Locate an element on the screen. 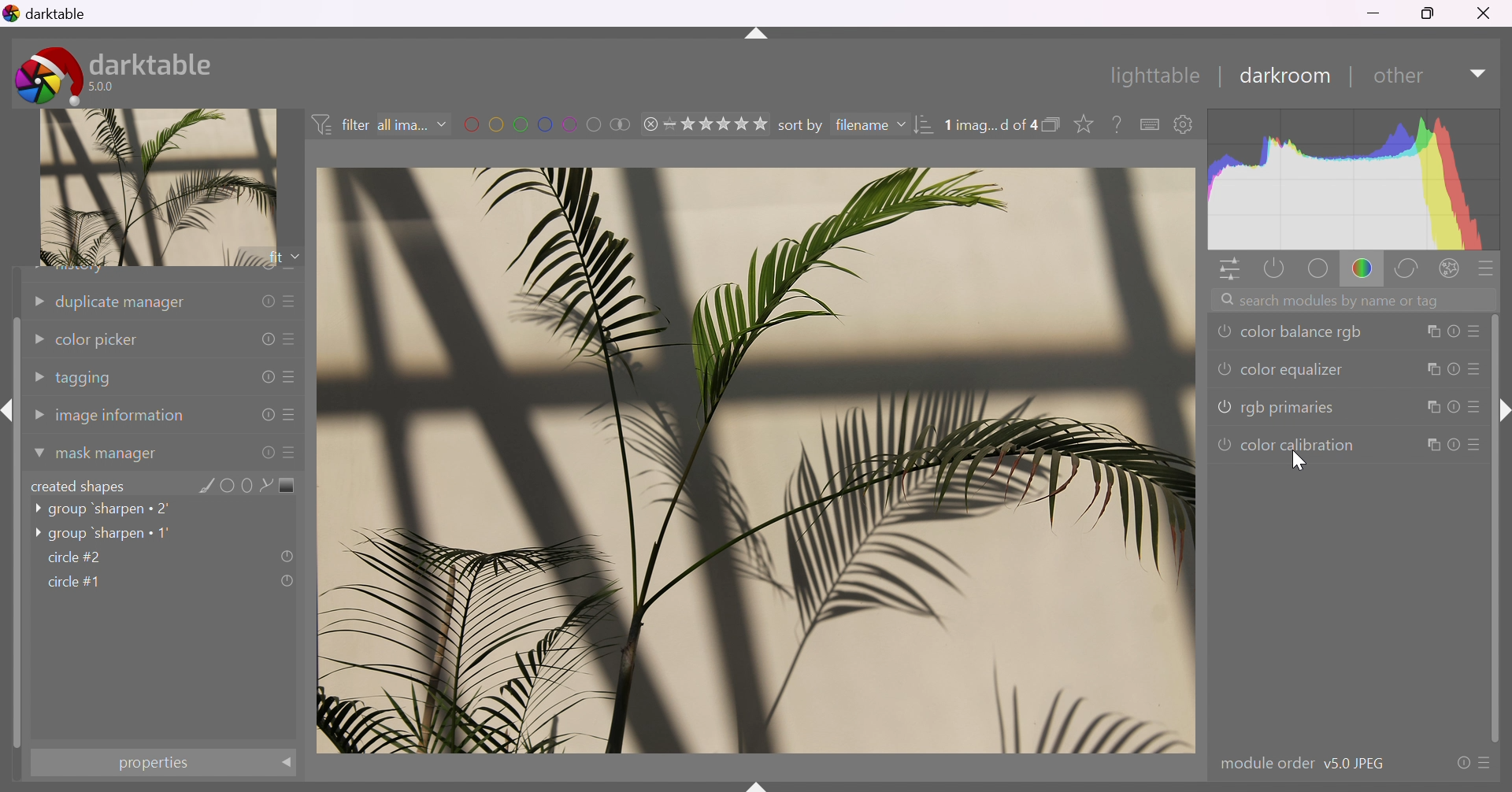 The height and width of the screenshot is (792, 1512). collapse grouped image is located at coordinates (1052, 126).